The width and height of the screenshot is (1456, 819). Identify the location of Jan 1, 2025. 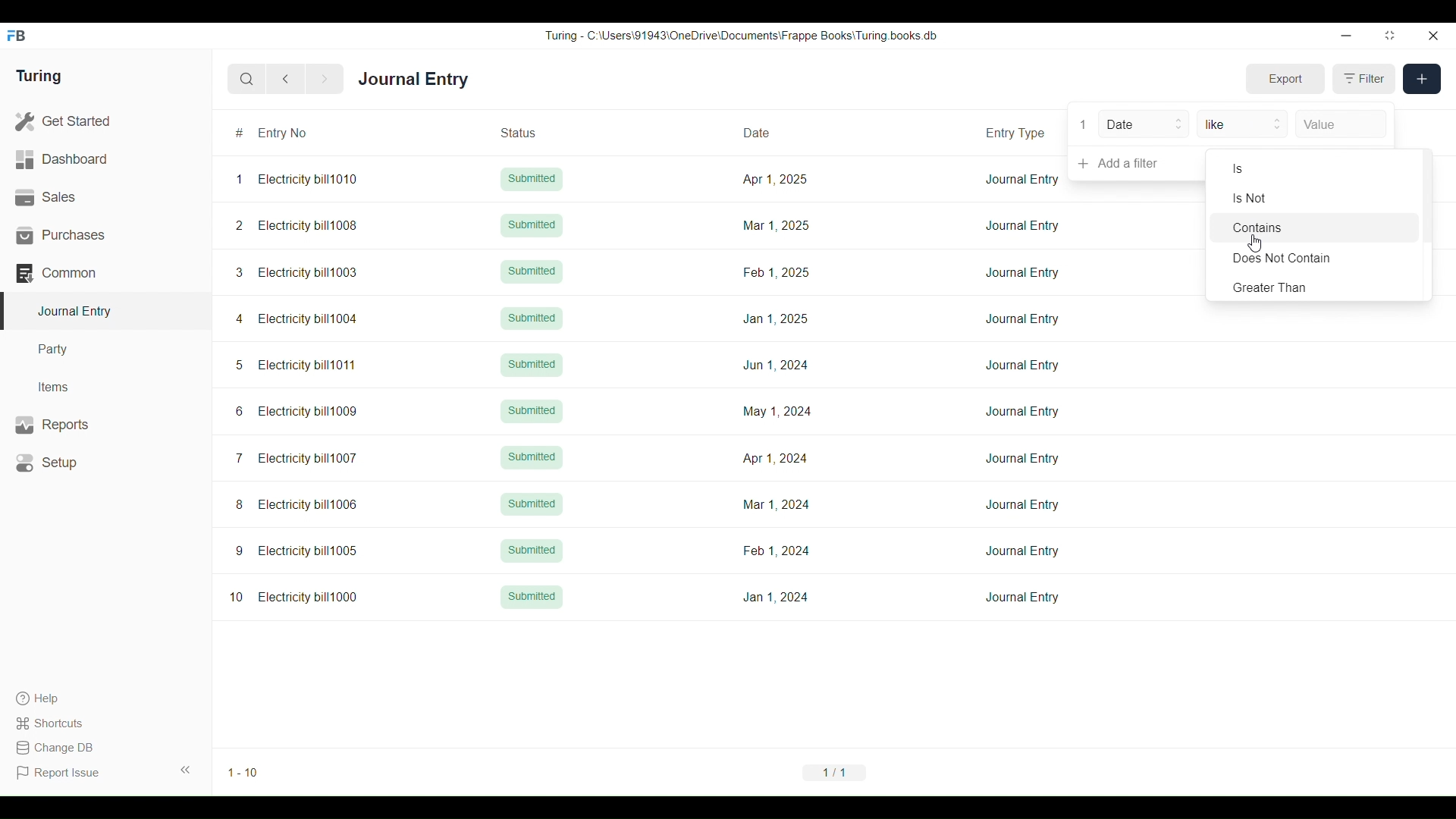
(776, 318).